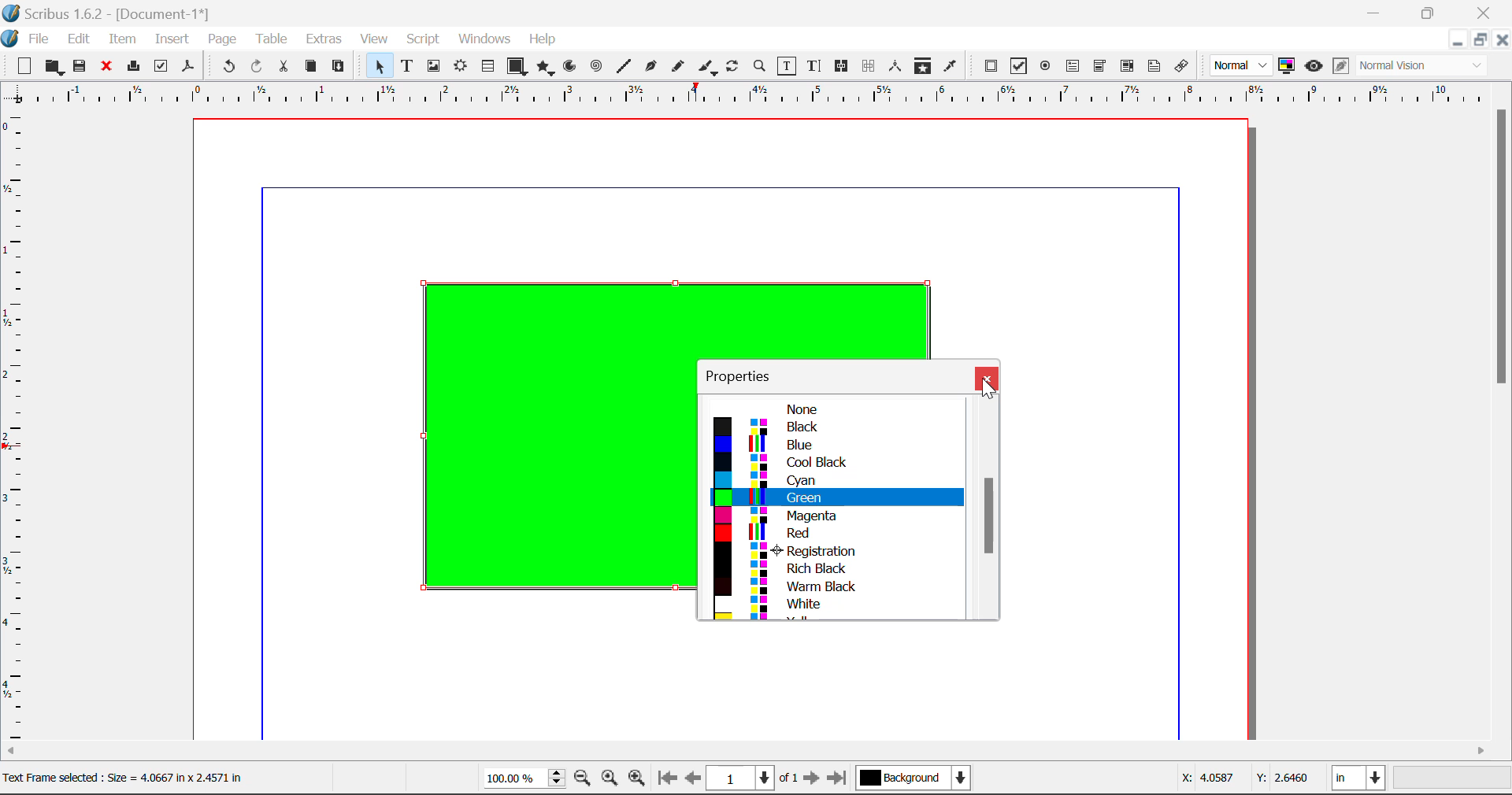 Image resolution: width=1512 pixels, height=795 pixels. Describe the element at coordinates (1045, 67) in the screenshot. I see `Pdf Radio Button` at that location.